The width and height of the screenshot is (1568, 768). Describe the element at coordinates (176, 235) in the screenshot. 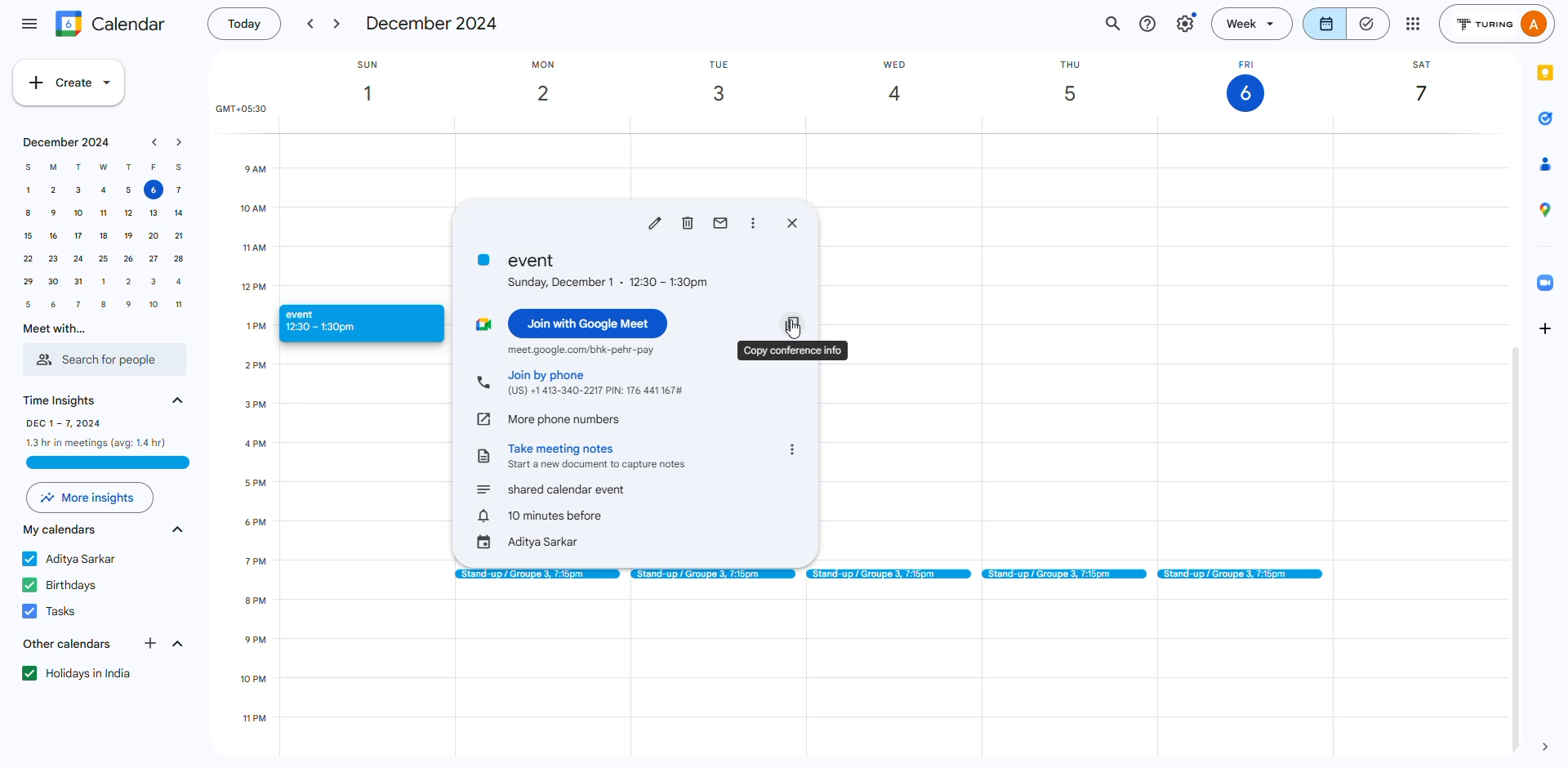

I see `21` at that location.